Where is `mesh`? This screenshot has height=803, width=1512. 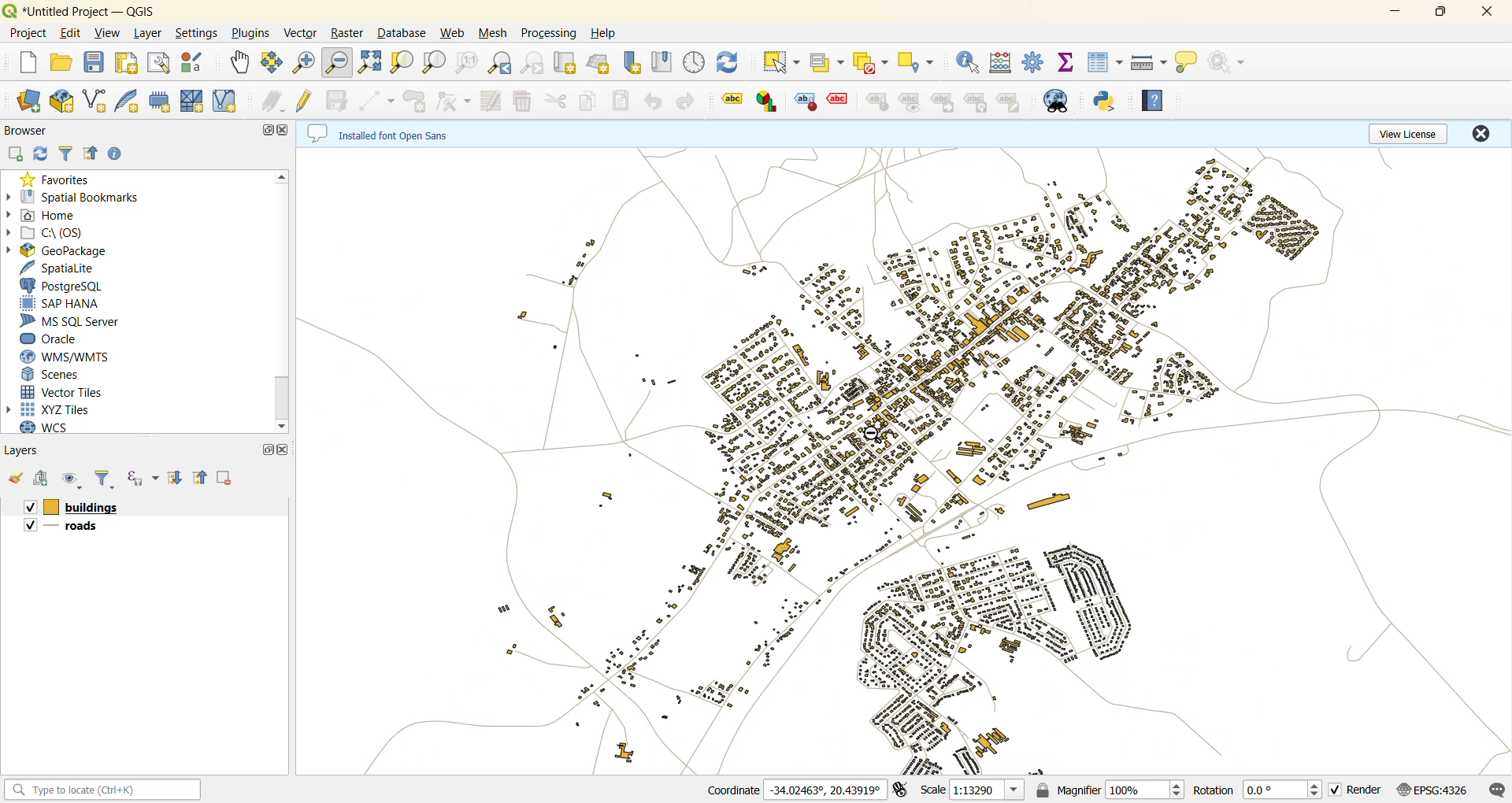
mesh is located at coordinates (496, 33).